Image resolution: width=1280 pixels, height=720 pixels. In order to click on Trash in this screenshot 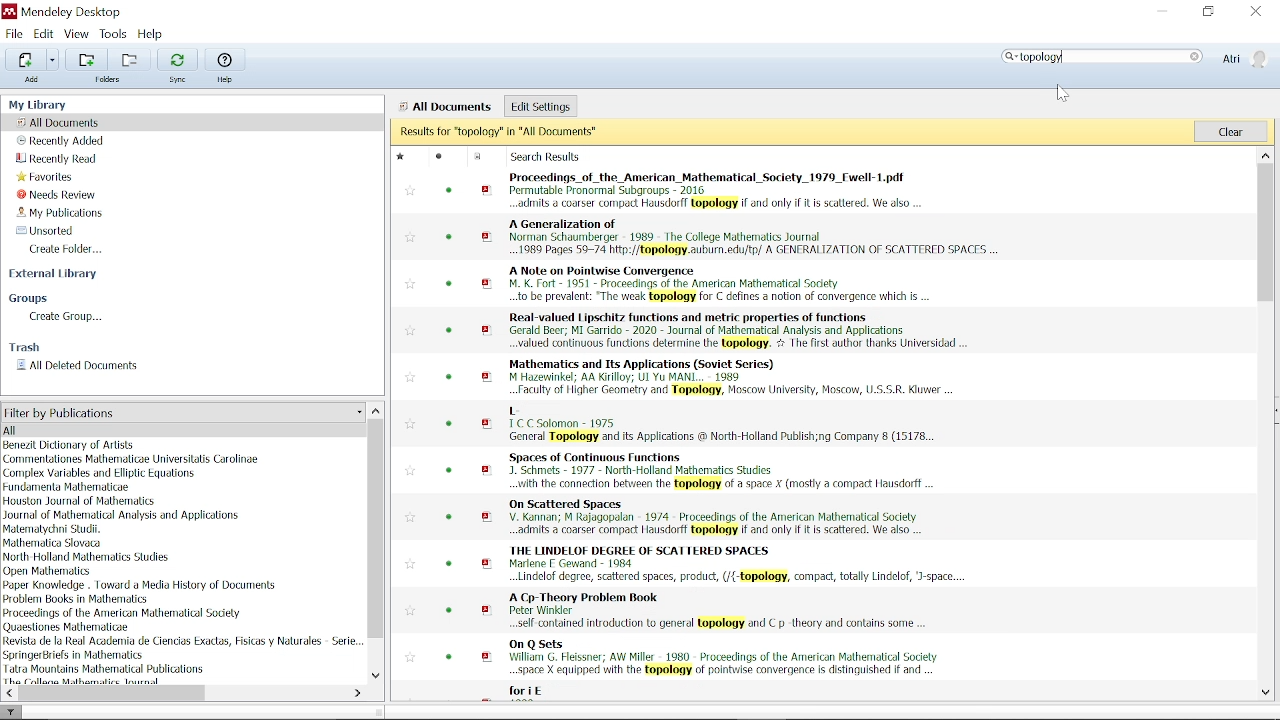, I will do `click(24, 347)`.